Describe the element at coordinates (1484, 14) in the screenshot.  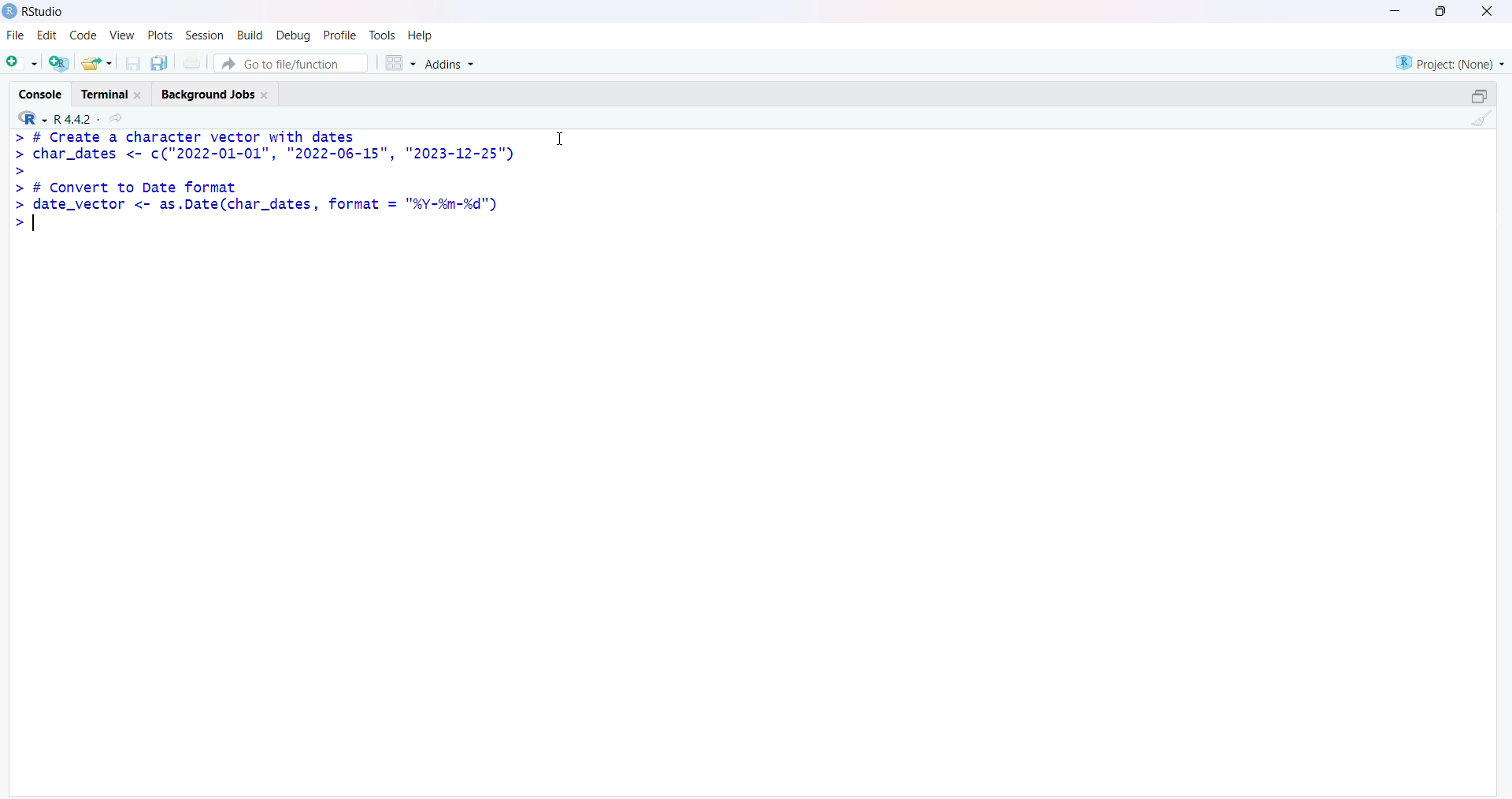
I see `Close` at that location.